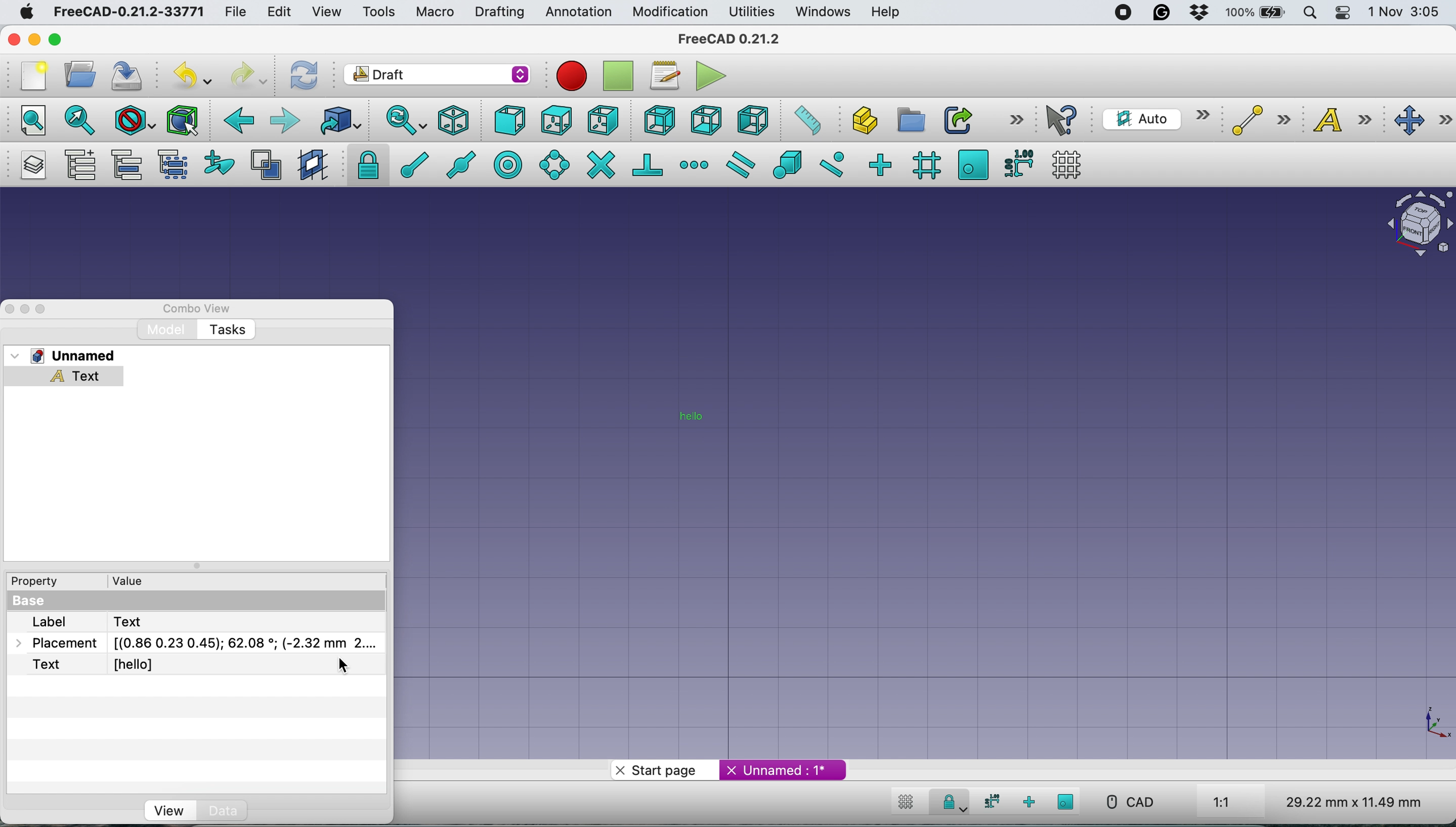 Image resolution: width=1456 pixels, height=827 pixels. What do you see at coordinates (9, 306) in the screenshot?
I see `close` at bounding box center [9, 306].